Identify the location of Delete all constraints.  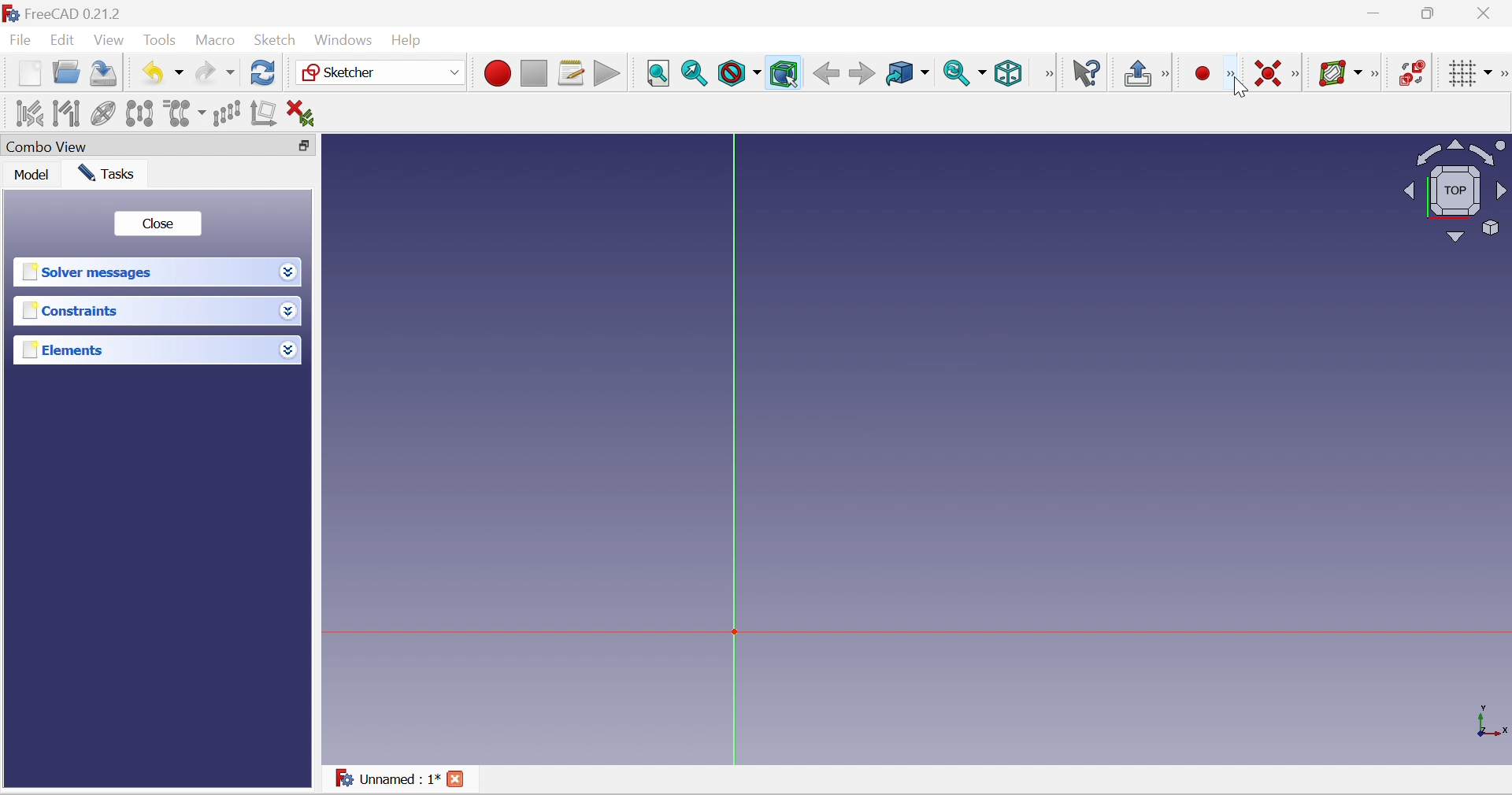
(301, 115).